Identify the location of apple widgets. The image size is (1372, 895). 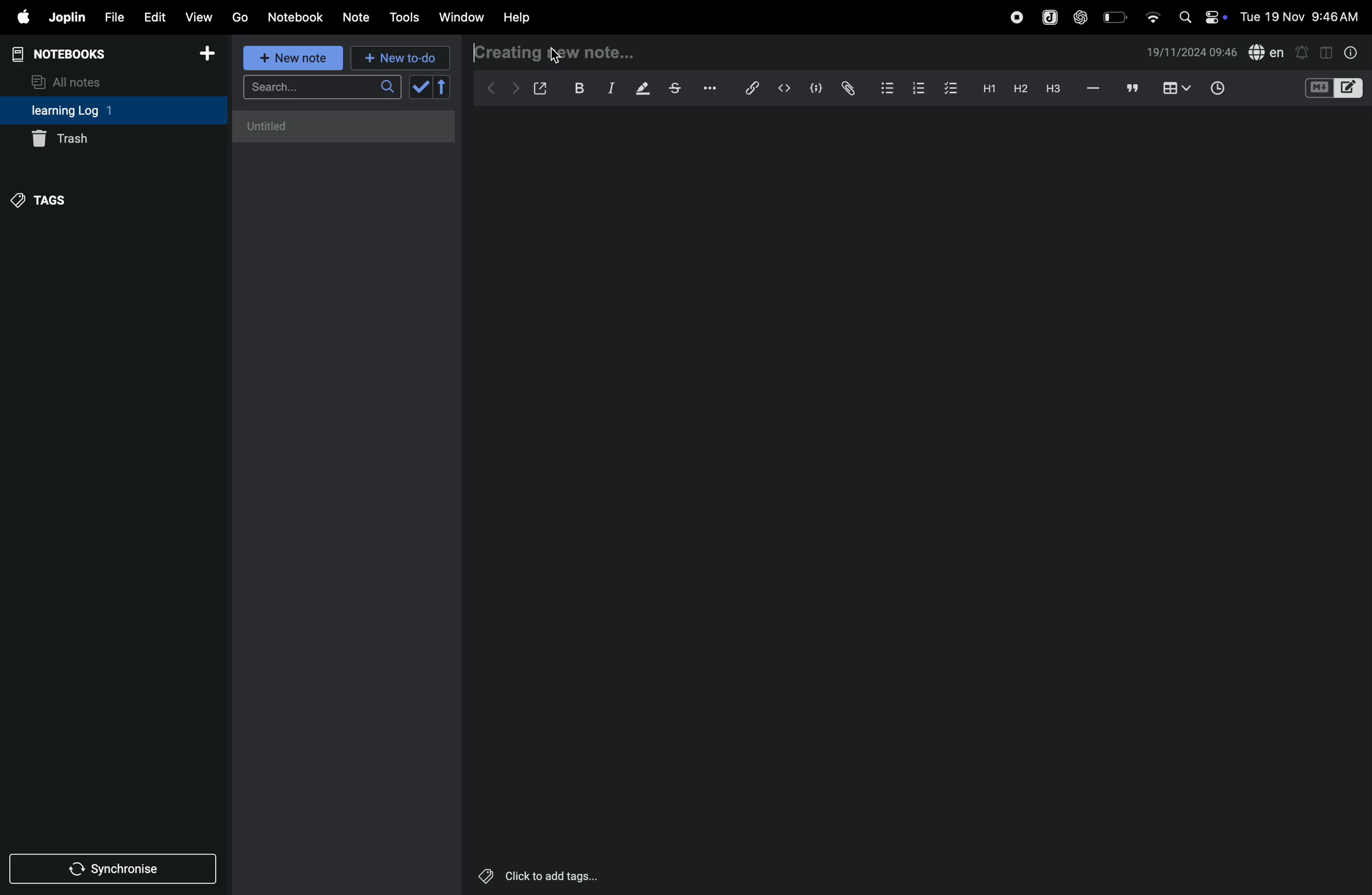
(1200, 16).